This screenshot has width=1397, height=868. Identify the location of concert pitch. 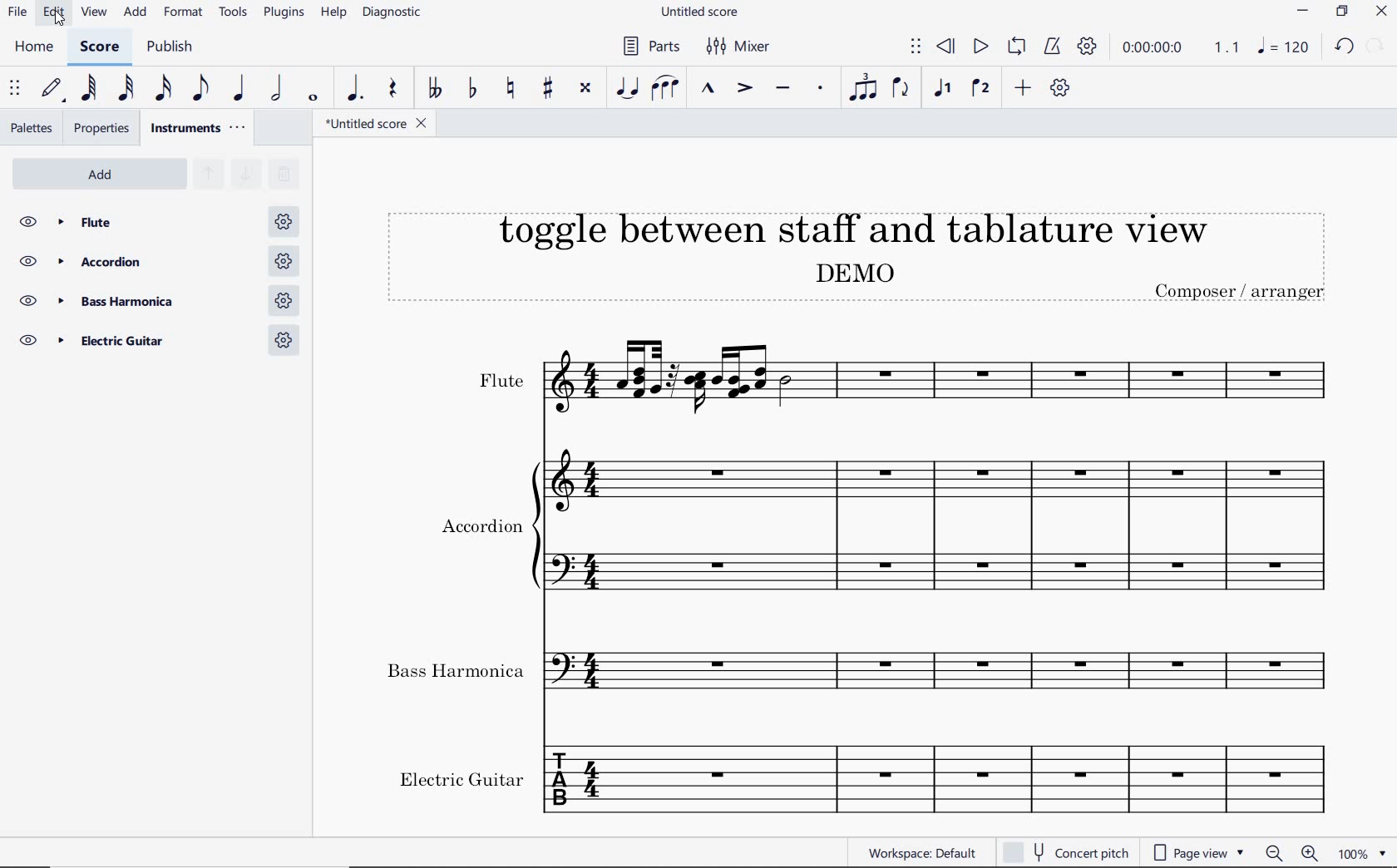
(1066, 852).